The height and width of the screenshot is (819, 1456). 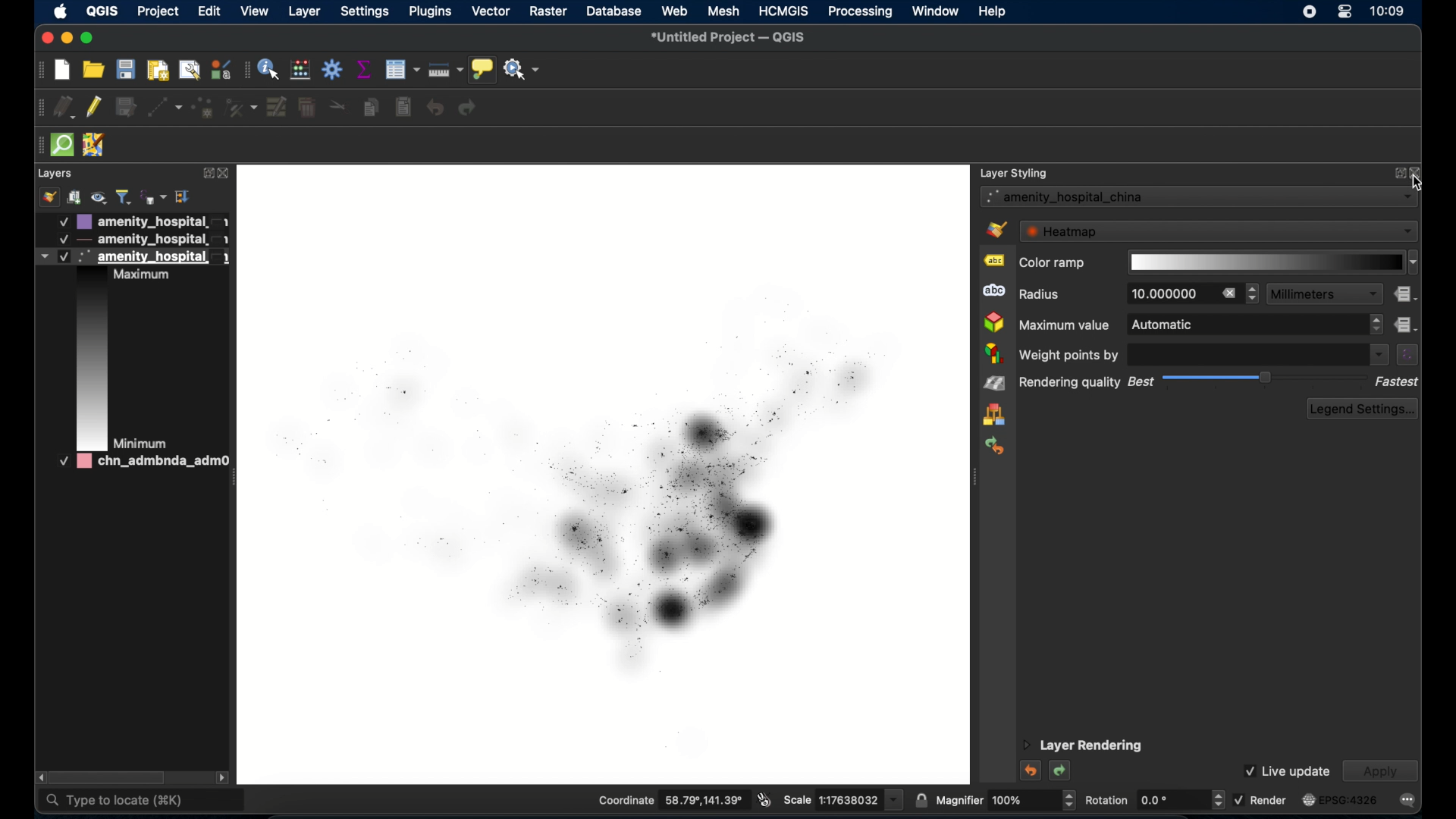 What do you see at coordinates (127, 108) in the screenshot?
I see `save edits` at bounding box center [127, 108].